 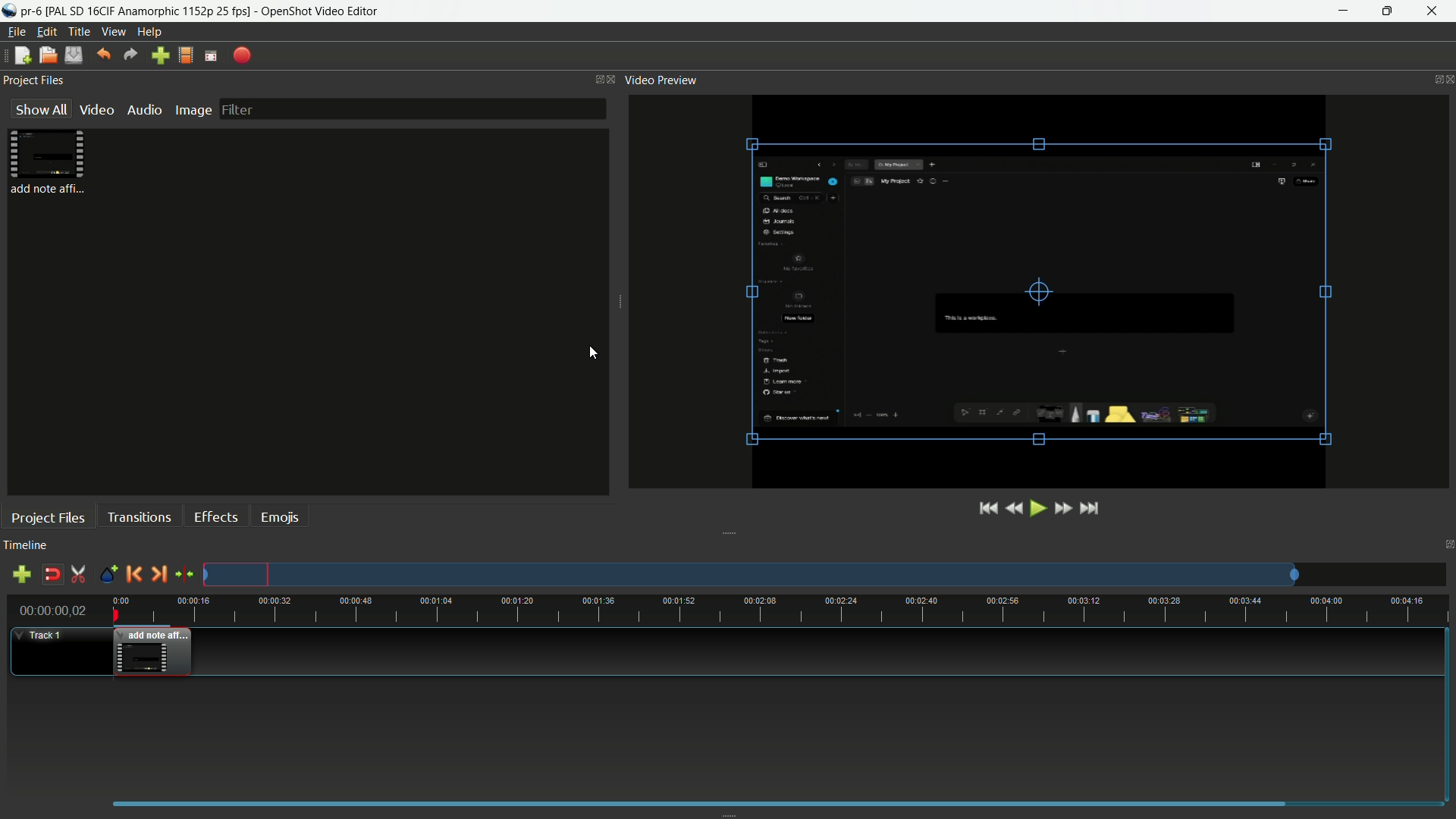 I want to click on video preview, so click(x=661, y=80).